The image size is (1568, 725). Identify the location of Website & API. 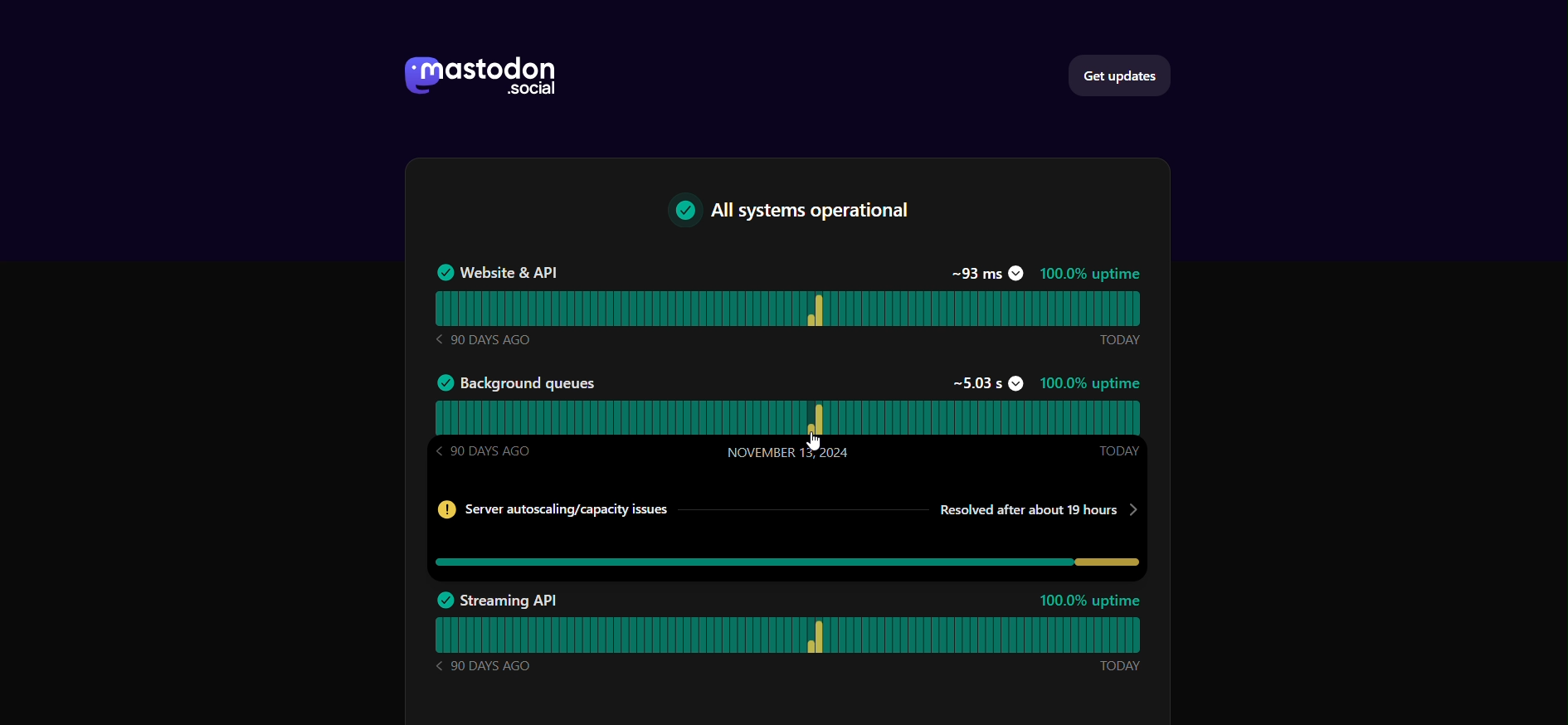
(499, 270).